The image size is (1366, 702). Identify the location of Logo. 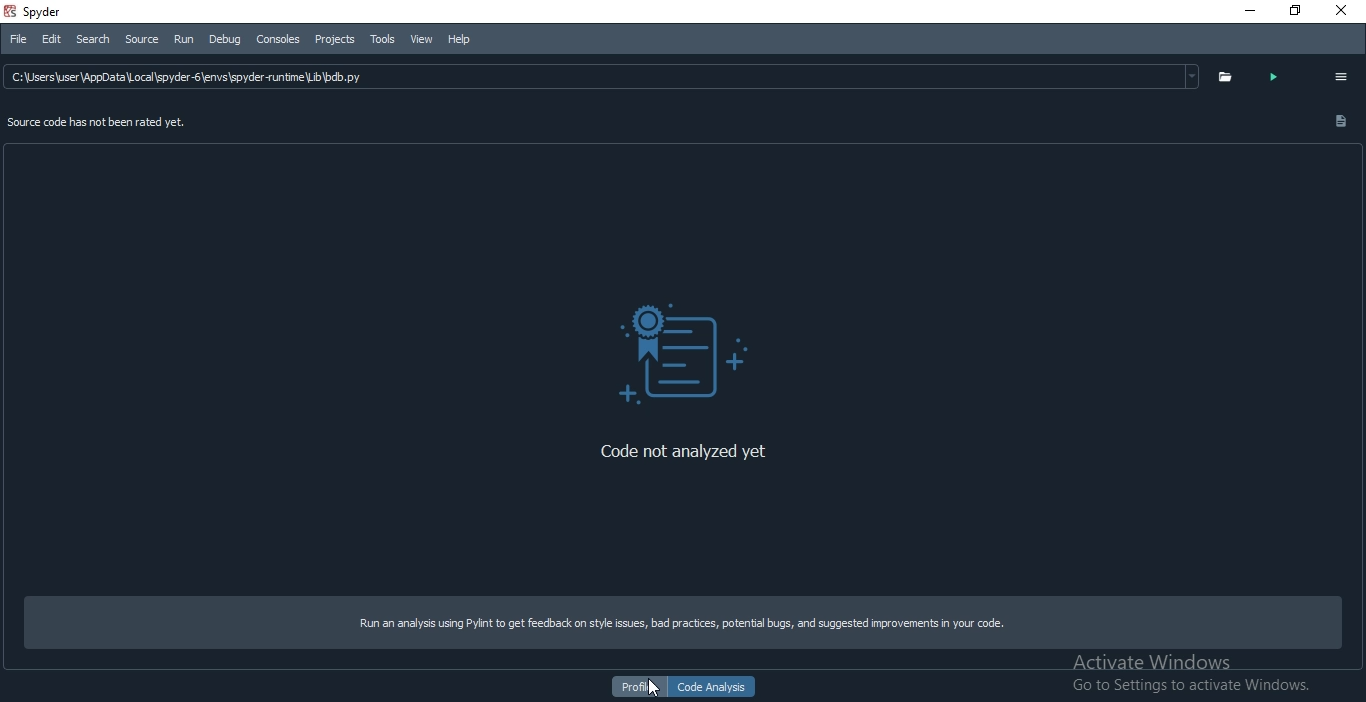
(687, 355).